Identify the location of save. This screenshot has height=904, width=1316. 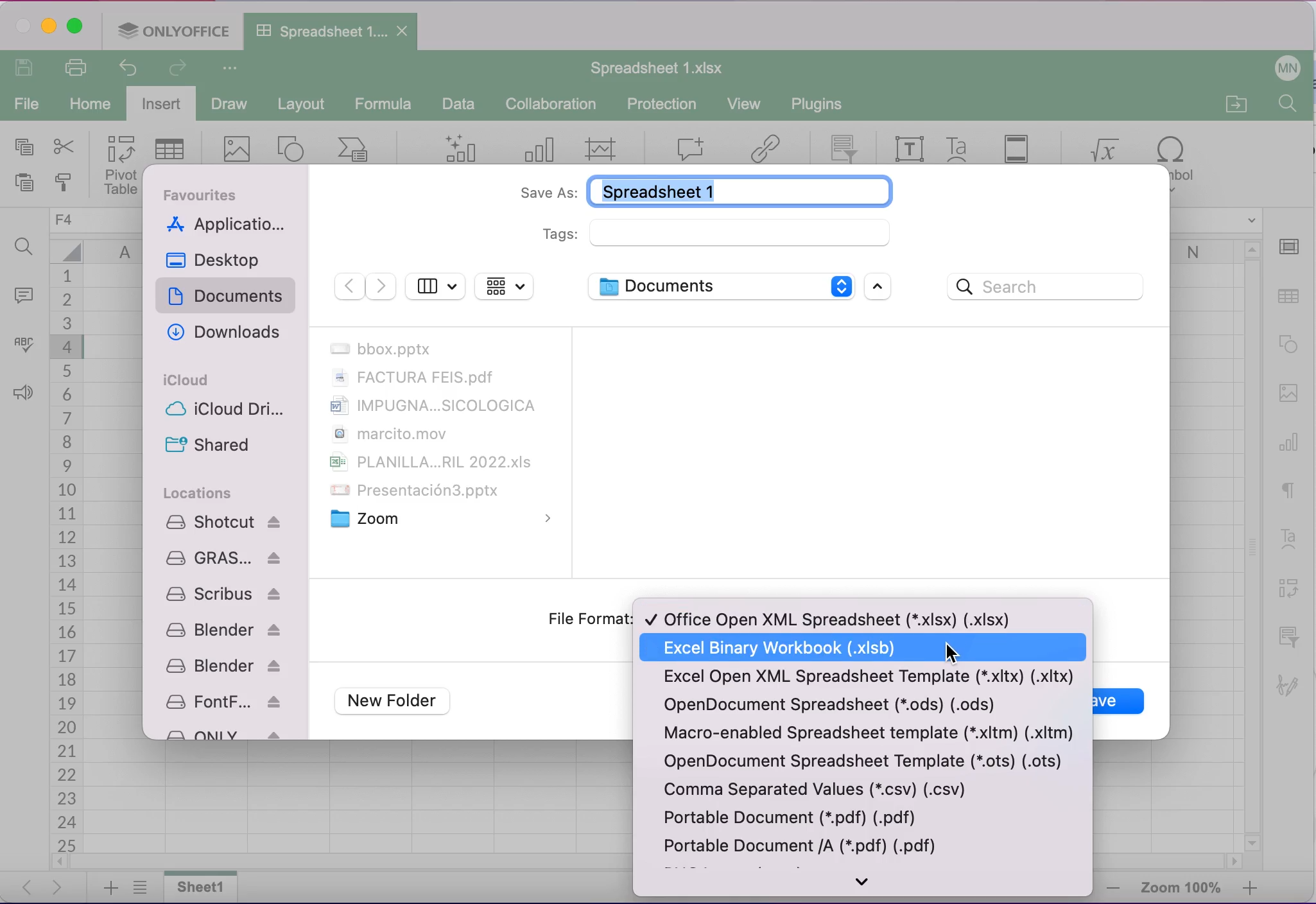
(1105, 700).